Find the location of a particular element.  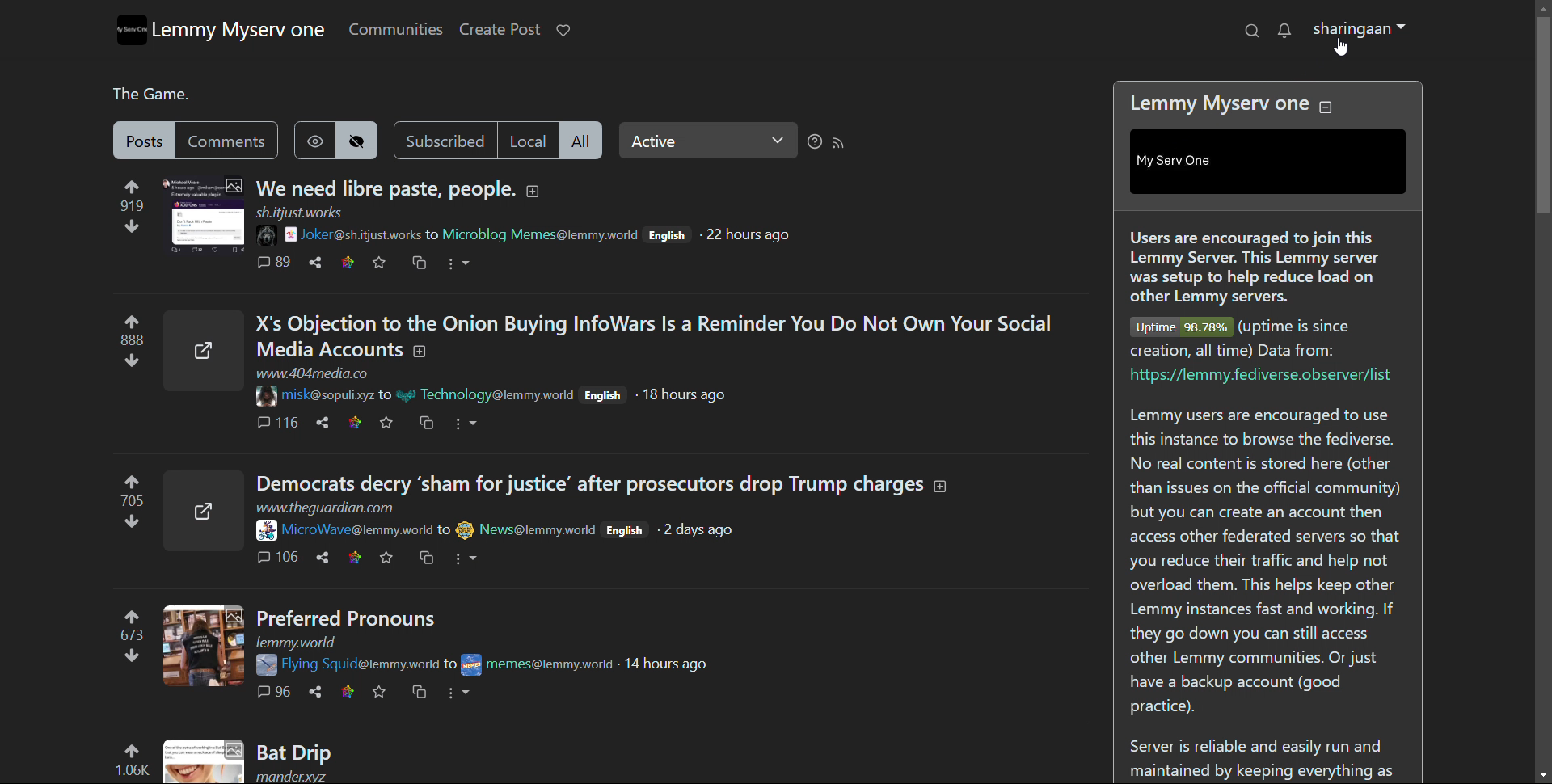

time of posting is located at coordinates (676, 665).